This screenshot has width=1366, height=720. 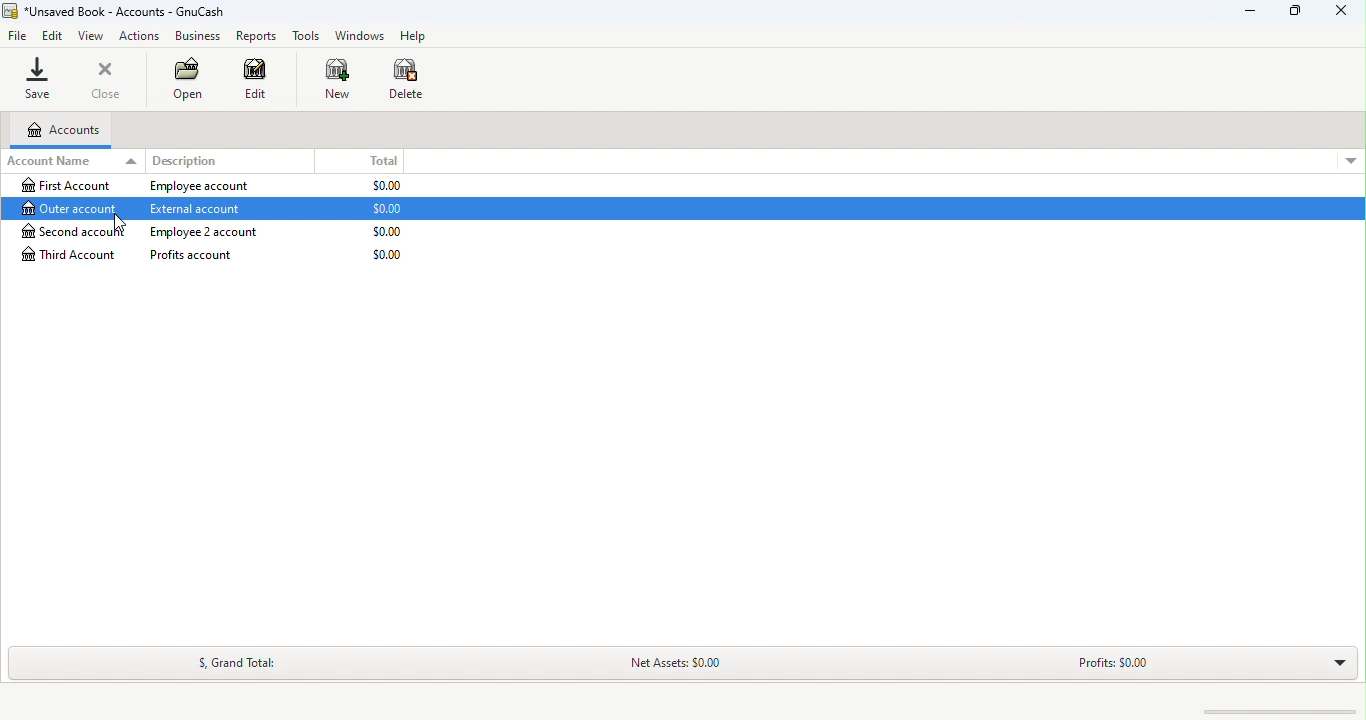 What do you see at coordinates (196, 36) in the screenshot?
I see `Business` at bounding box center [196, 36].